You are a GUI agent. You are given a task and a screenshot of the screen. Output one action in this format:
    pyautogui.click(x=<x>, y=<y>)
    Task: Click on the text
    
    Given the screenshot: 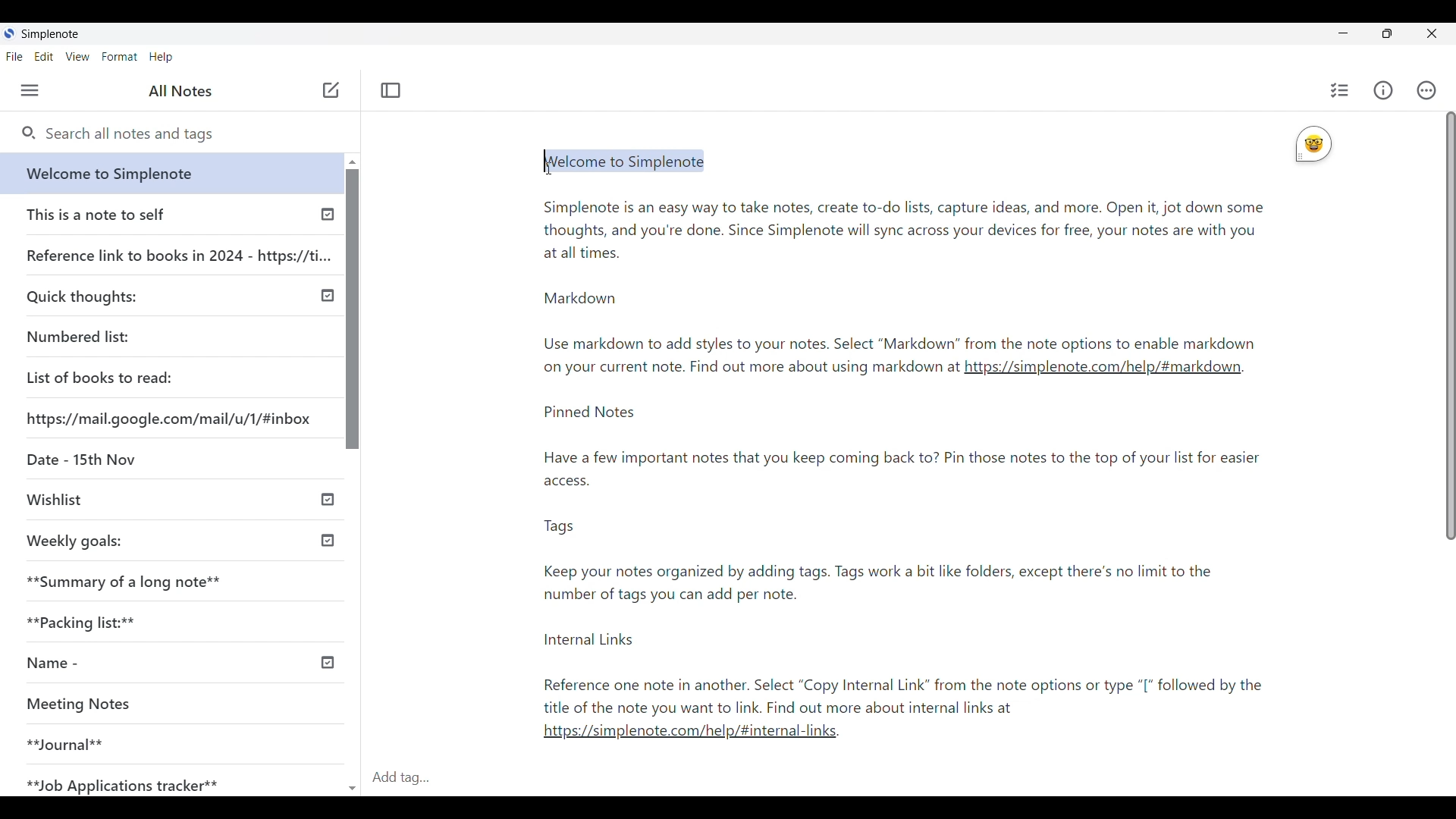 What is the action you would take?
    pyautogui.click(x=918, y=563)
    